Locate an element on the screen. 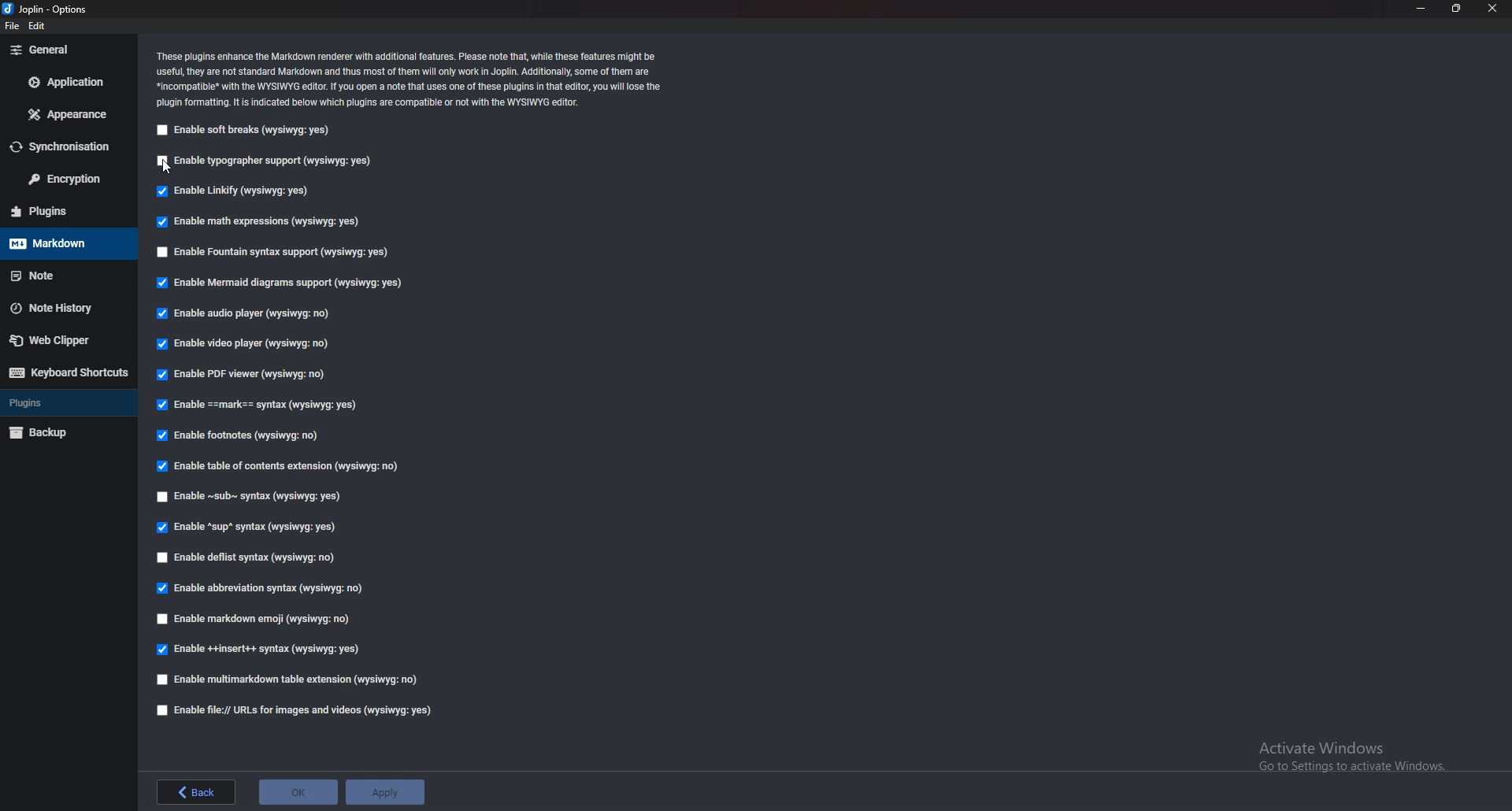 The height and width of the screenshot is (811, 1512). enable deflist syntax is located at coordinates (253, 557).